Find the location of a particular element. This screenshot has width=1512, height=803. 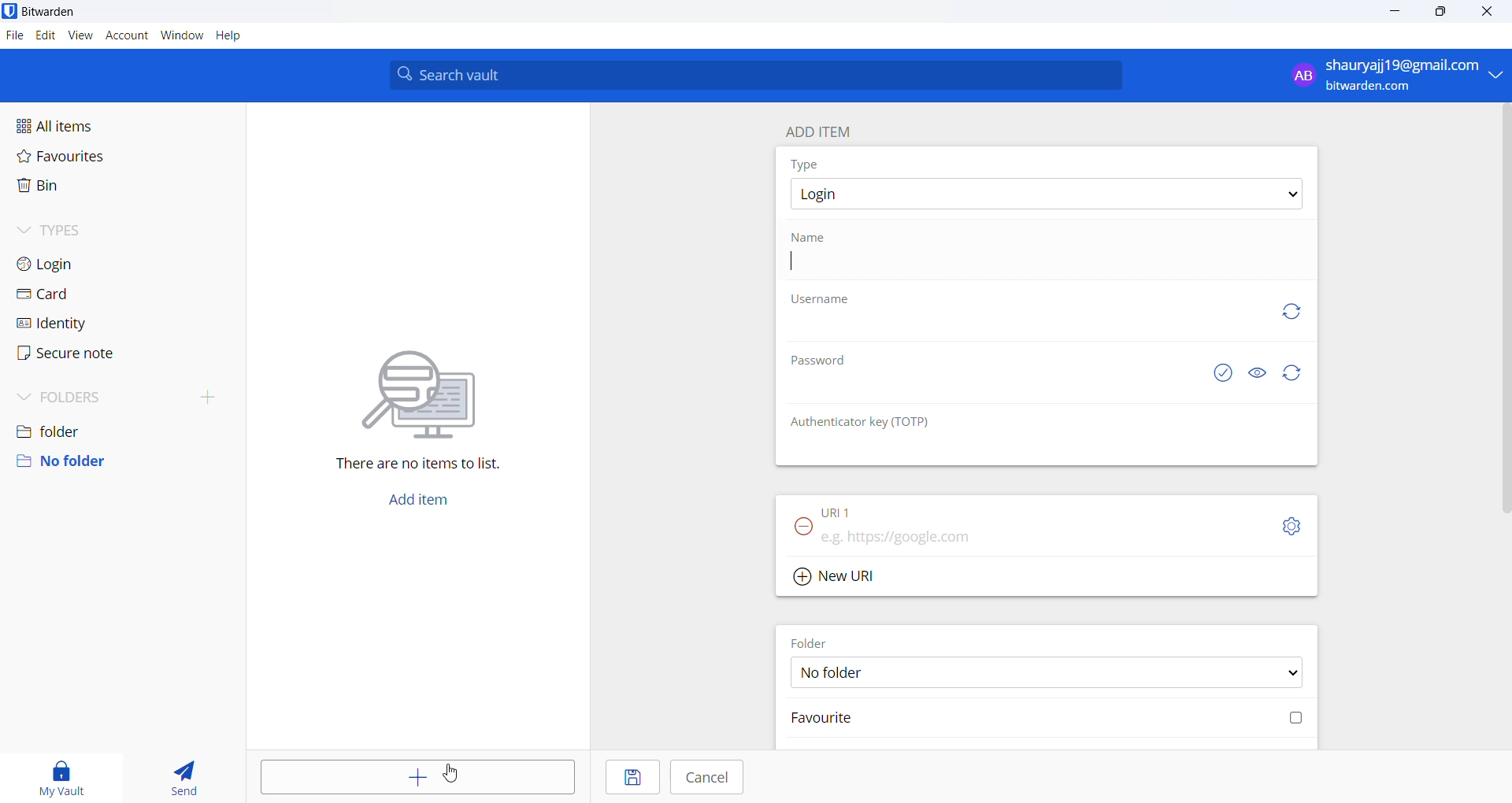

no folder is located at coordinates (117, 461).